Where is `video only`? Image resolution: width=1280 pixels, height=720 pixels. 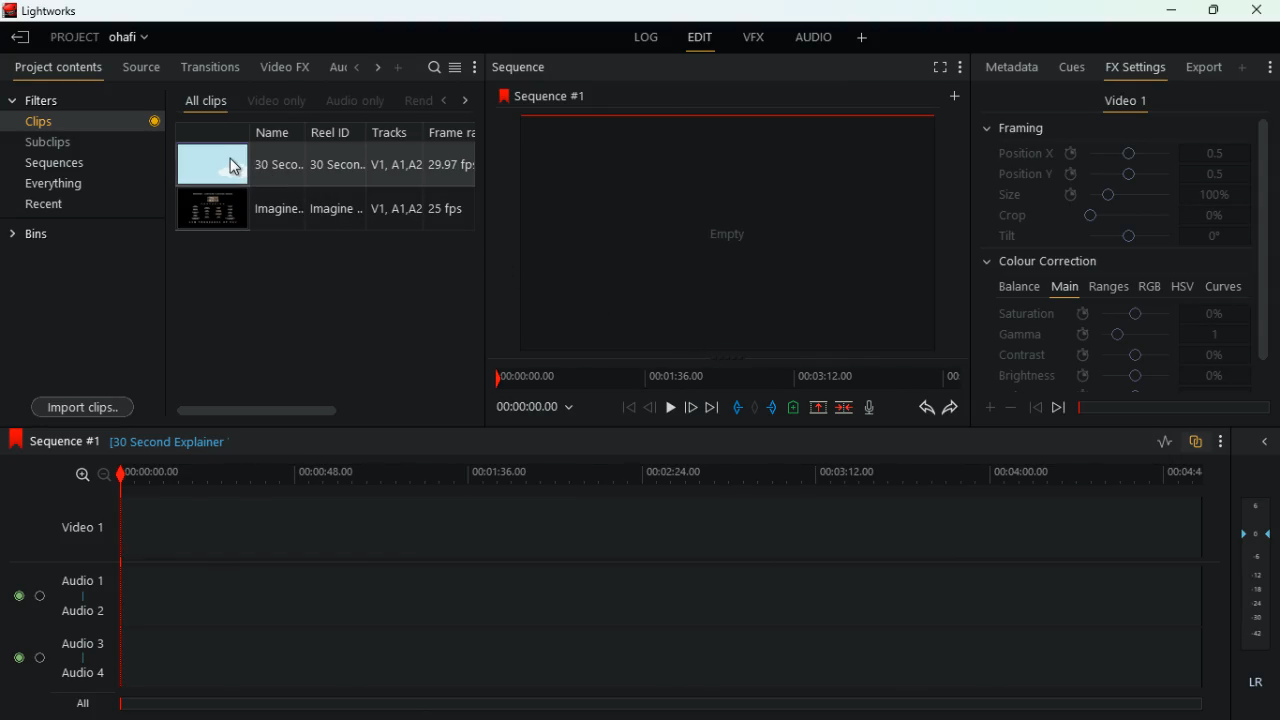 video only is located at coordinates (277, 100).